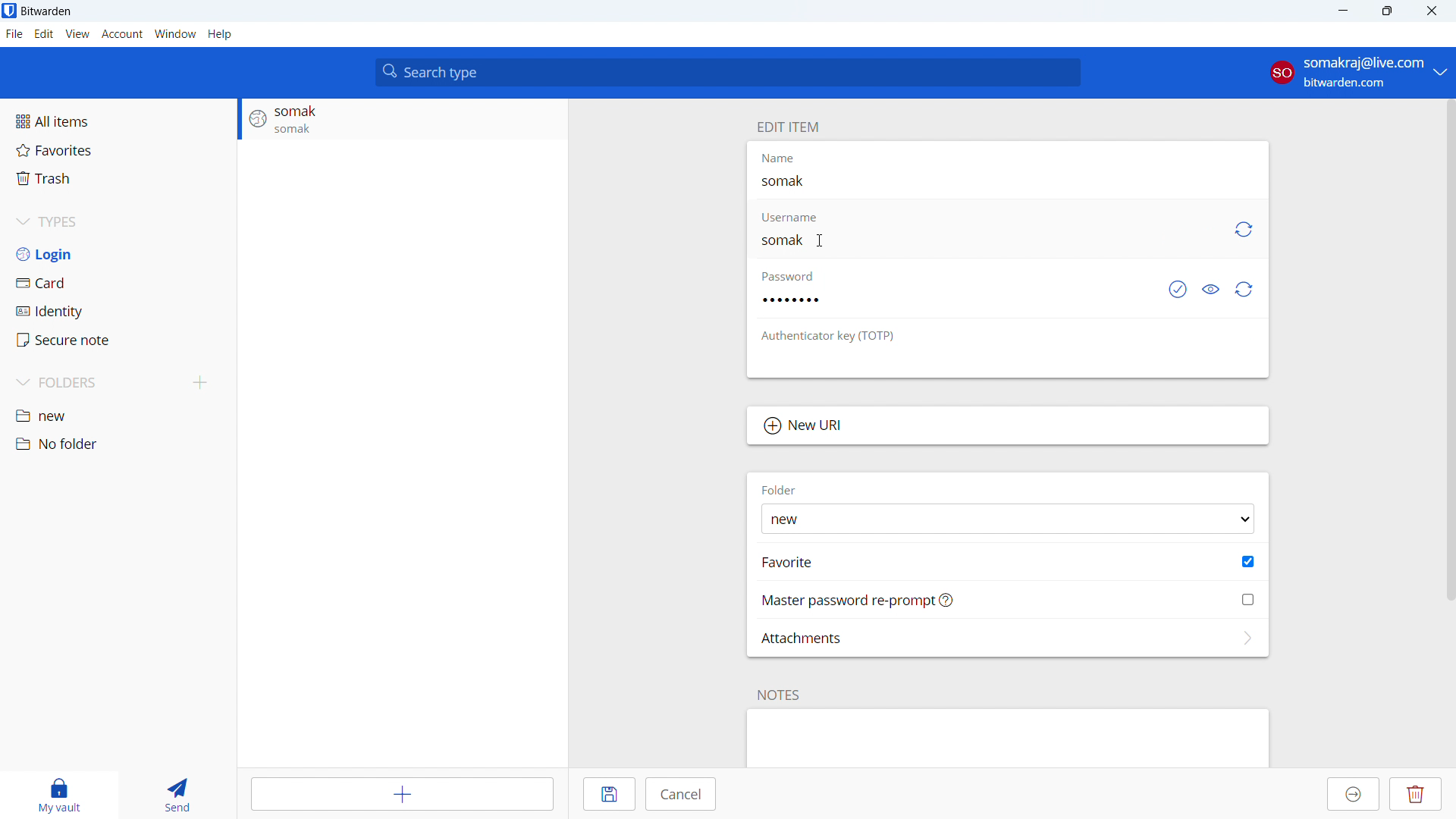  What do you see at coordinates (405, 793) in the screenshot?
I see `add item` at bounding box center [405, 793].